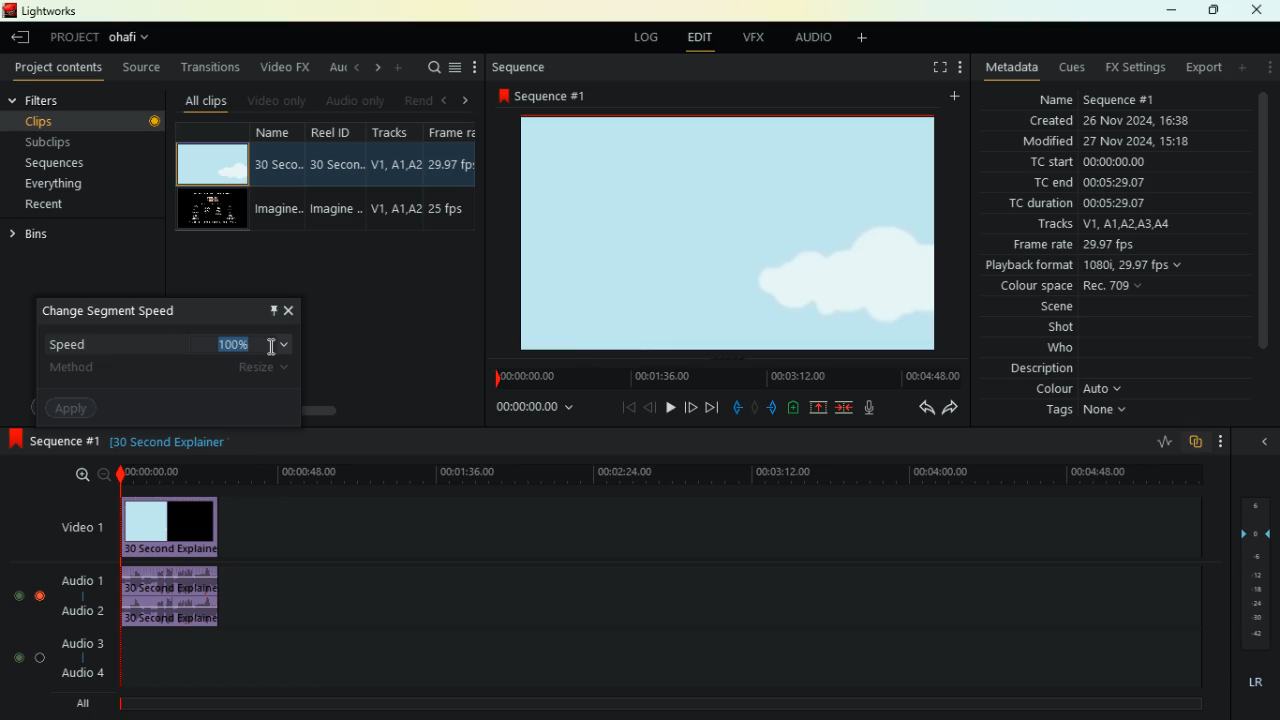 This screenshot has width=1280, height=720. Describe the element at coordinates (1265, 440) in the screenshot. I see `close` at that location.